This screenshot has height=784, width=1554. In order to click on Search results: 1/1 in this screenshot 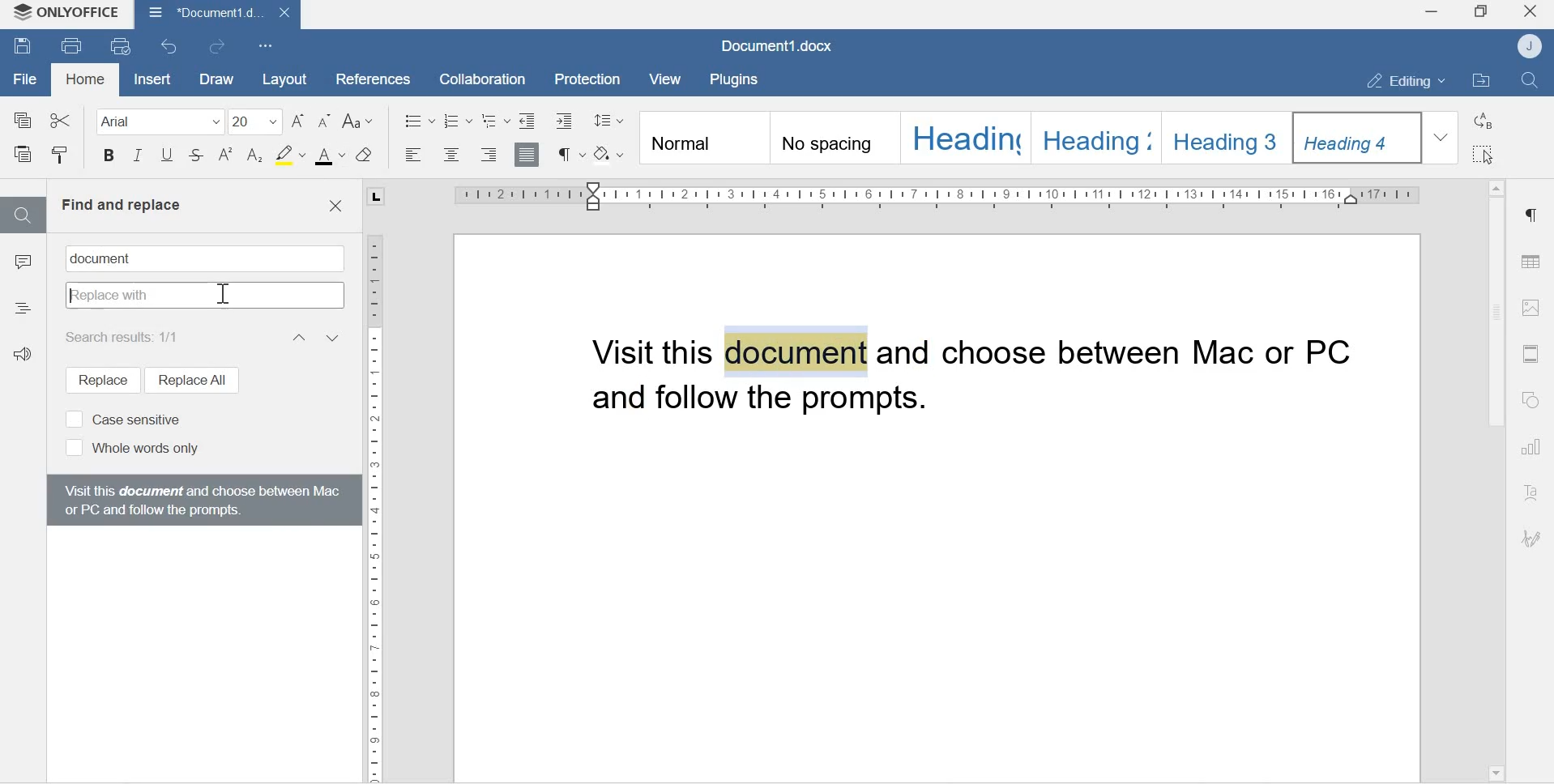, I will do `click(128, 336)`.